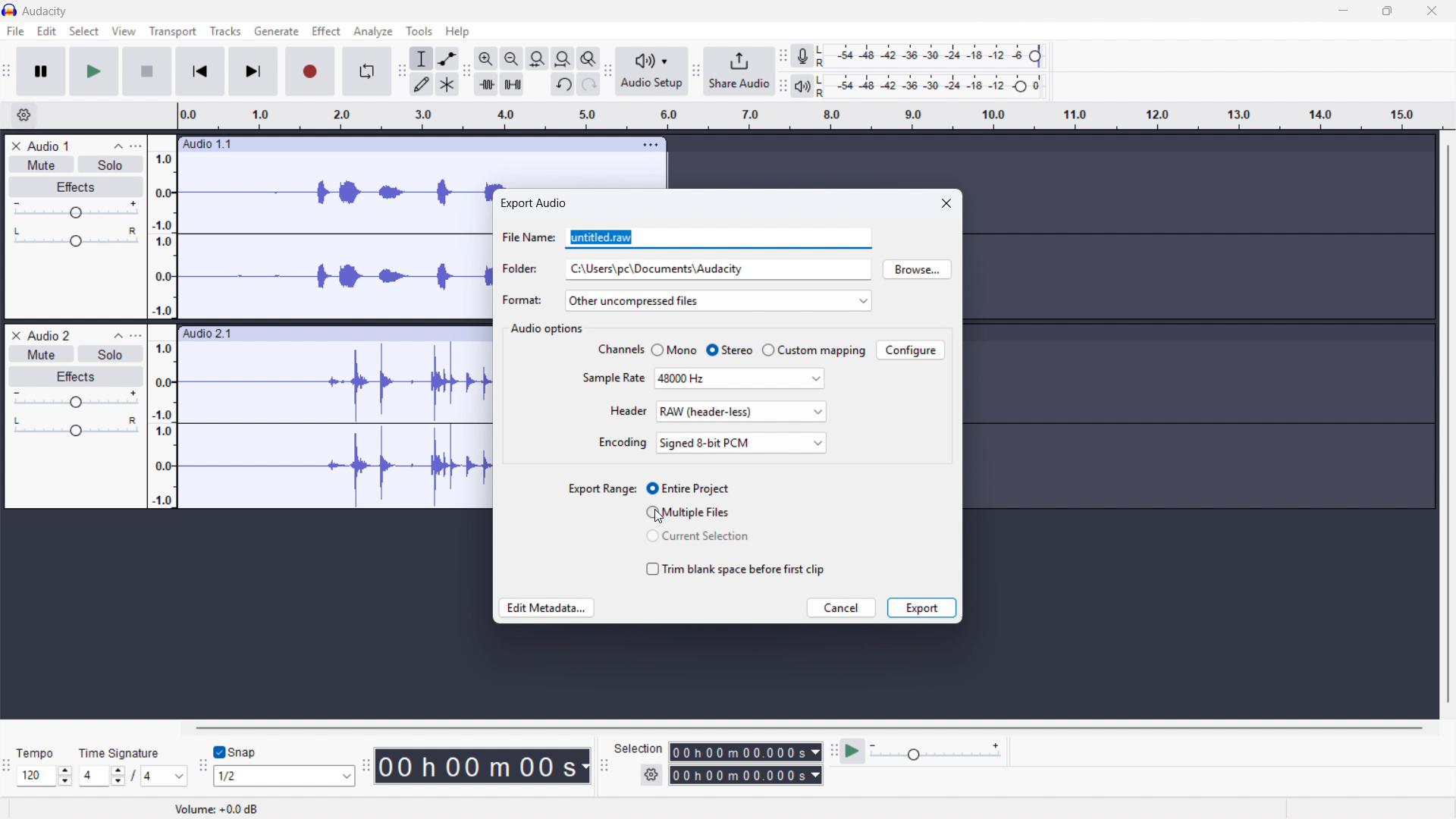 This screenshot has height=819, width=1456. I want to click on Audio 2, so click(49, 334).